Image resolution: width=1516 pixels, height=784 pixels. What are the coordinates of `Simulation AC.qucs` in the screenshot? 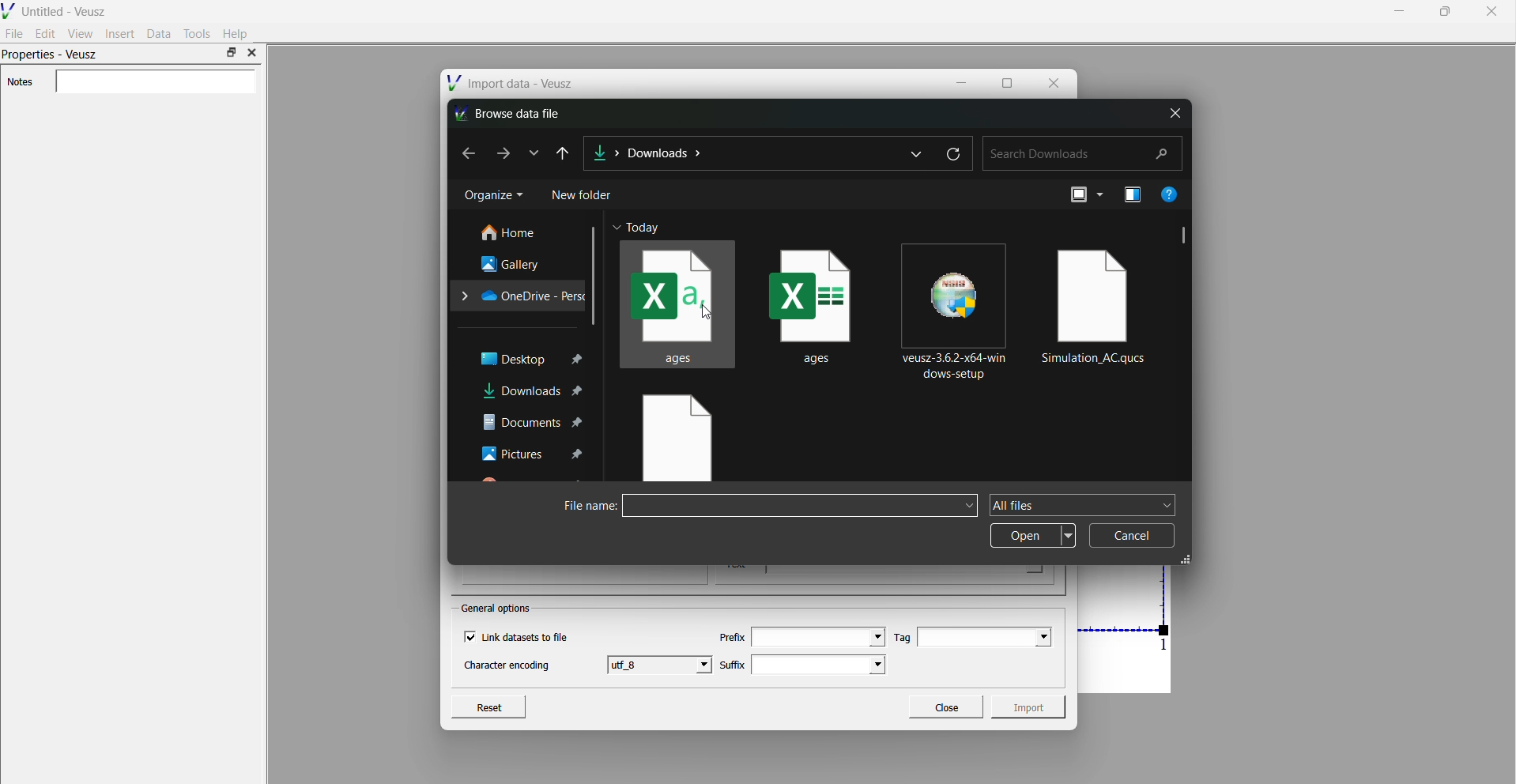 It's located at (1097, 303).